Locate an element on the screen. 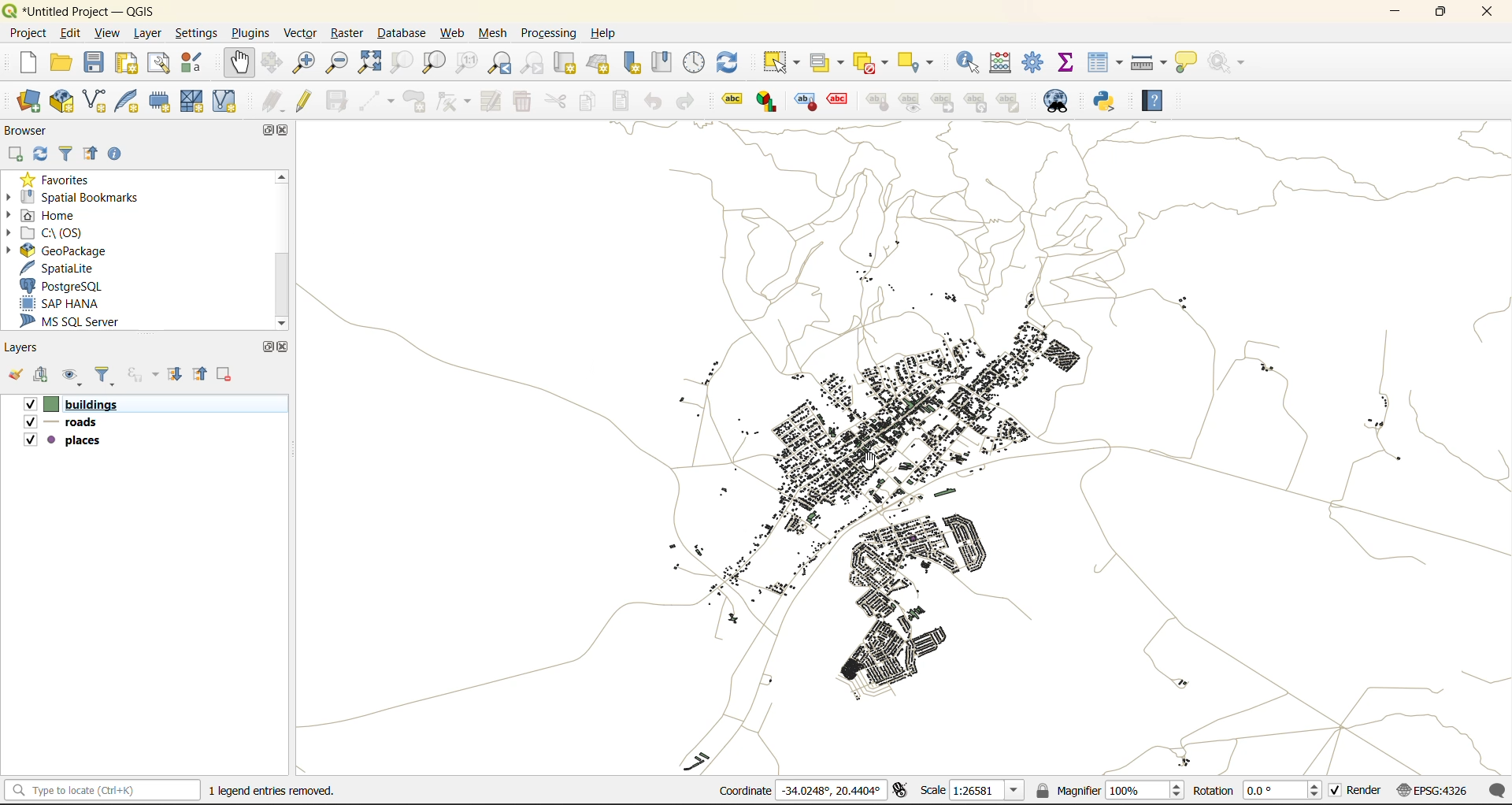 The image size is (1512, 805). statistical summary is located at coordinates (1069, 62).